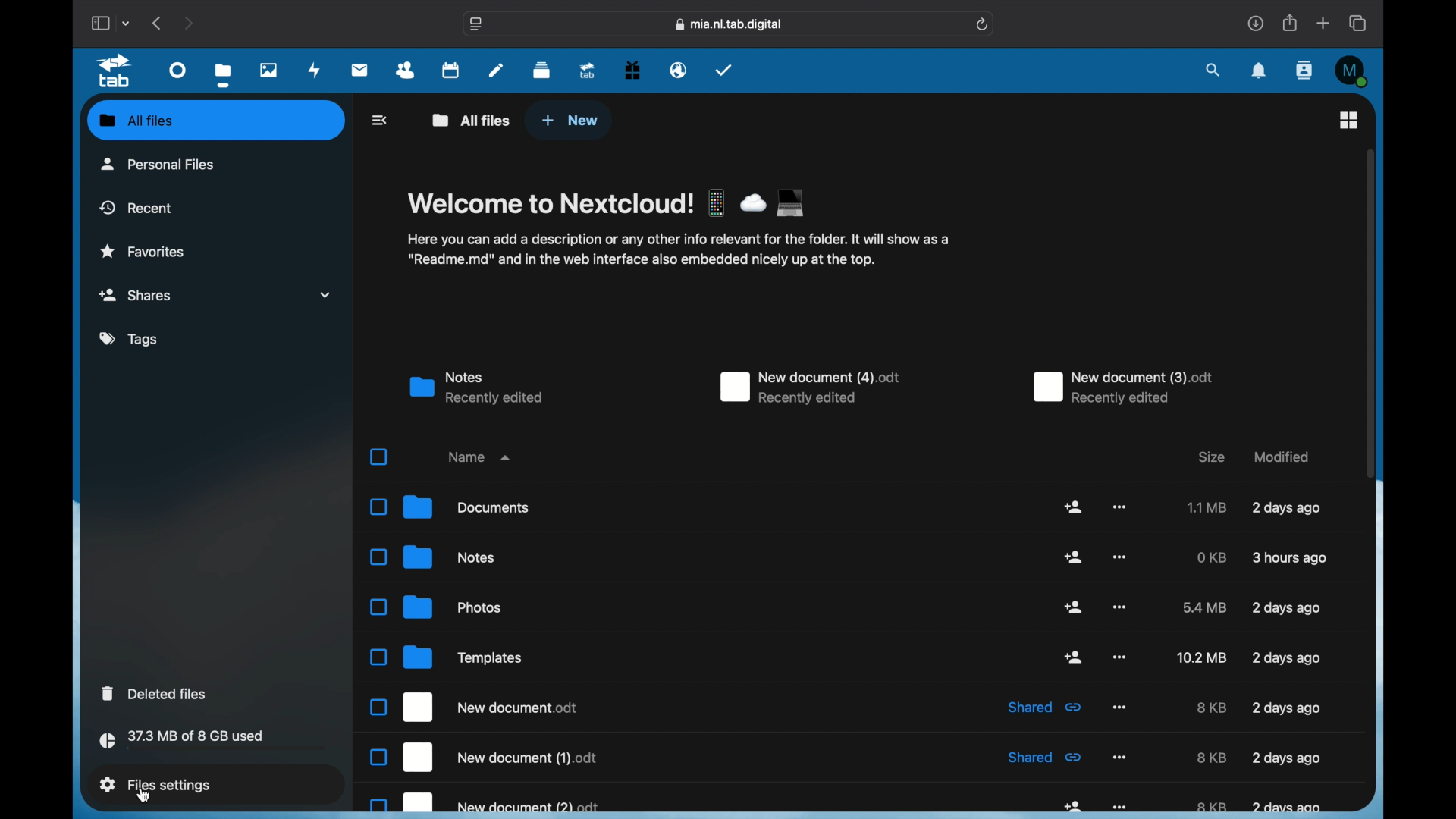  What do you see at coordinates (485, 803) in the screenshot?
I see `new document` at bounding box center [485, 803].